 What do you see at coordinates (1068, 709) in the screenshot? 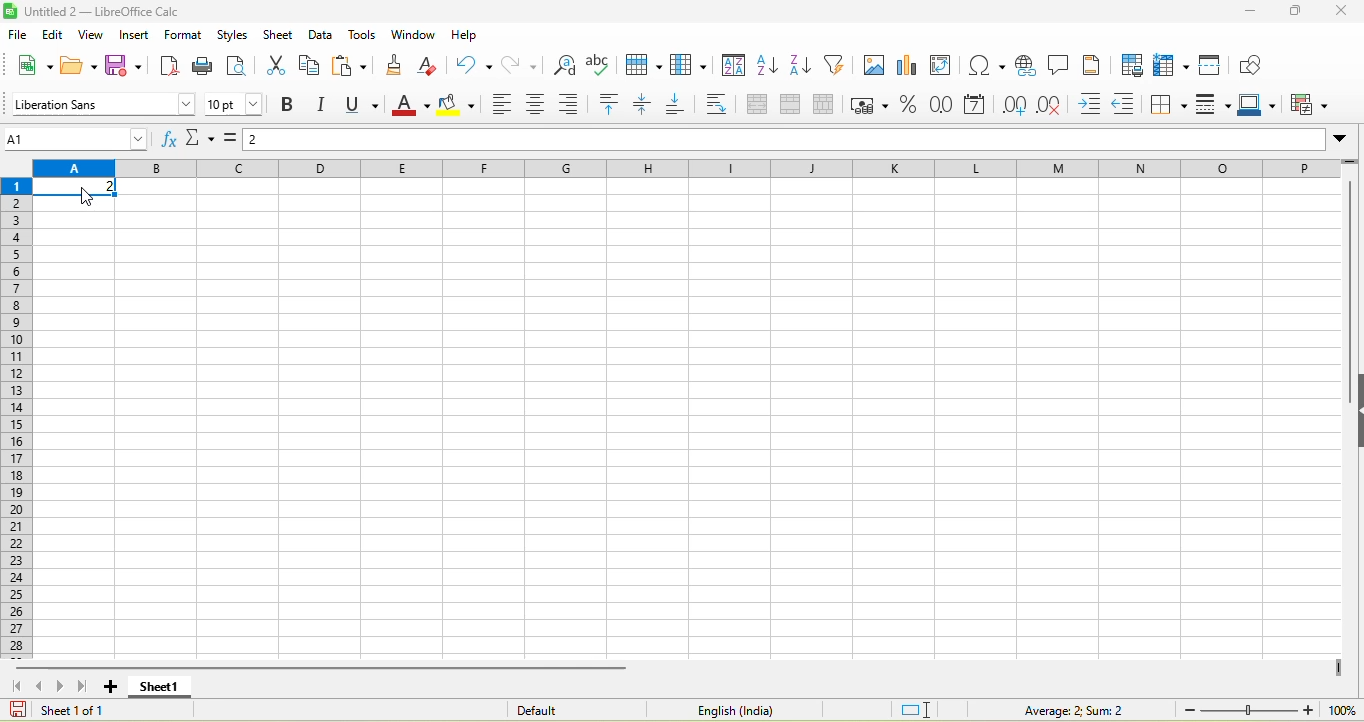
I see `formula` at bounding box center [1068, 709].